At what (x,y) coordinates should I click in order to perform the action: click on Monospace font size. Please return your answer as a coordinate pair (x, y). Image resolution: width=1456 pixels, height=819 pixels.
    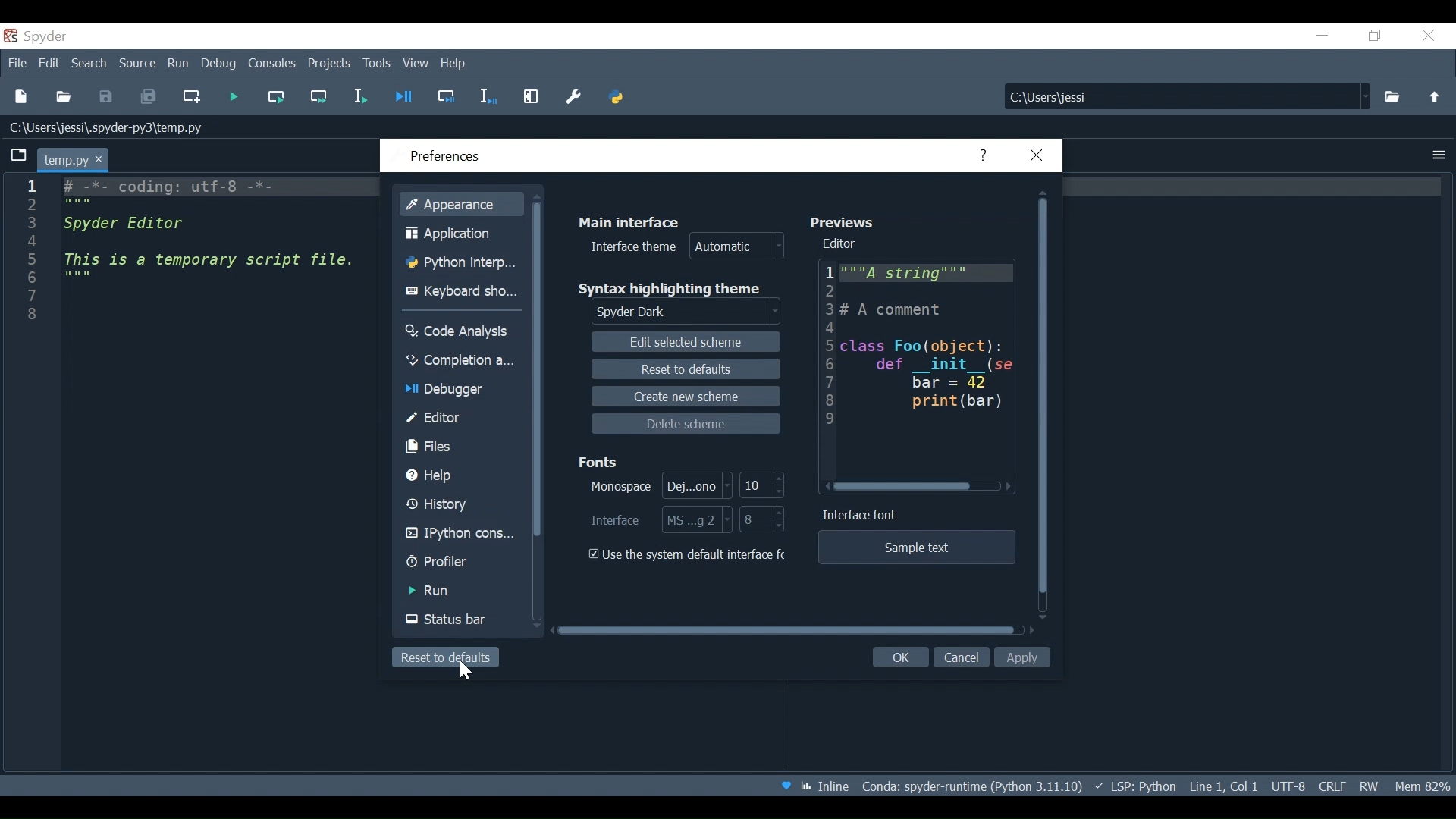
    Looking at the image, I should click on (762, 487).